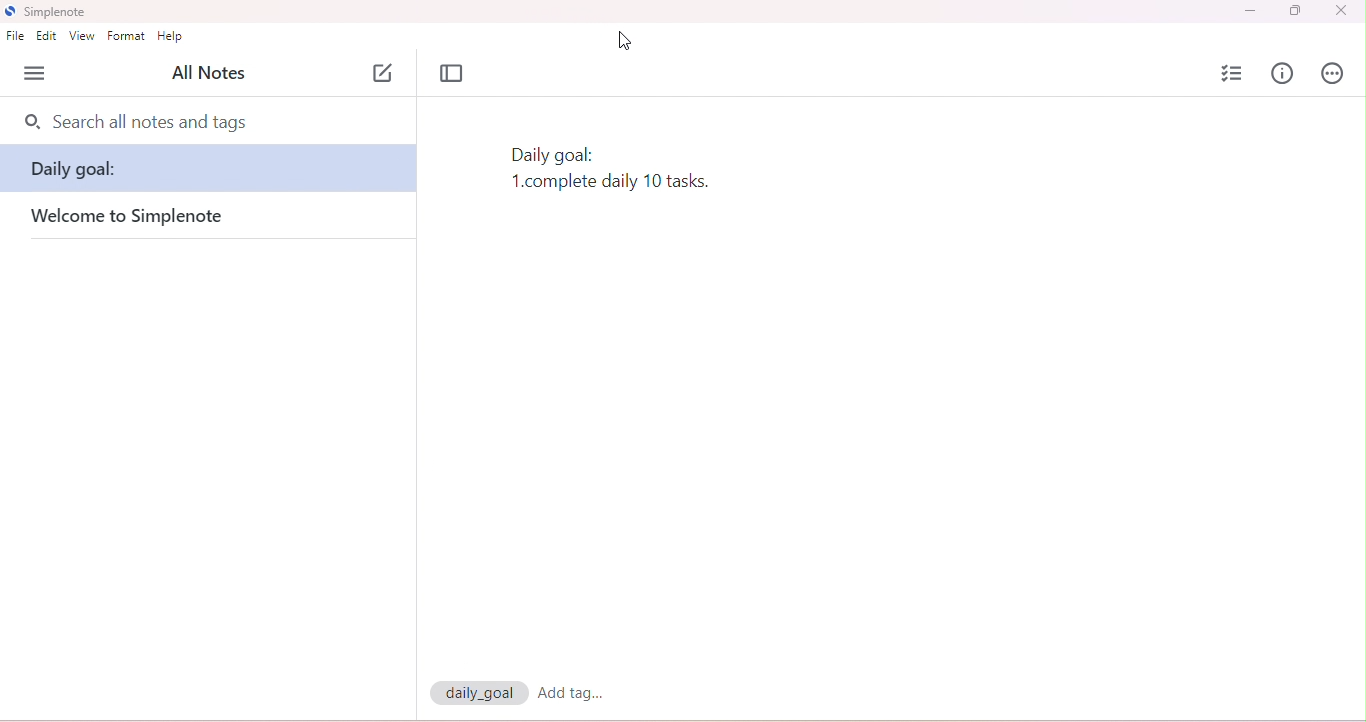  I want to click on edit, so click(47, 36).